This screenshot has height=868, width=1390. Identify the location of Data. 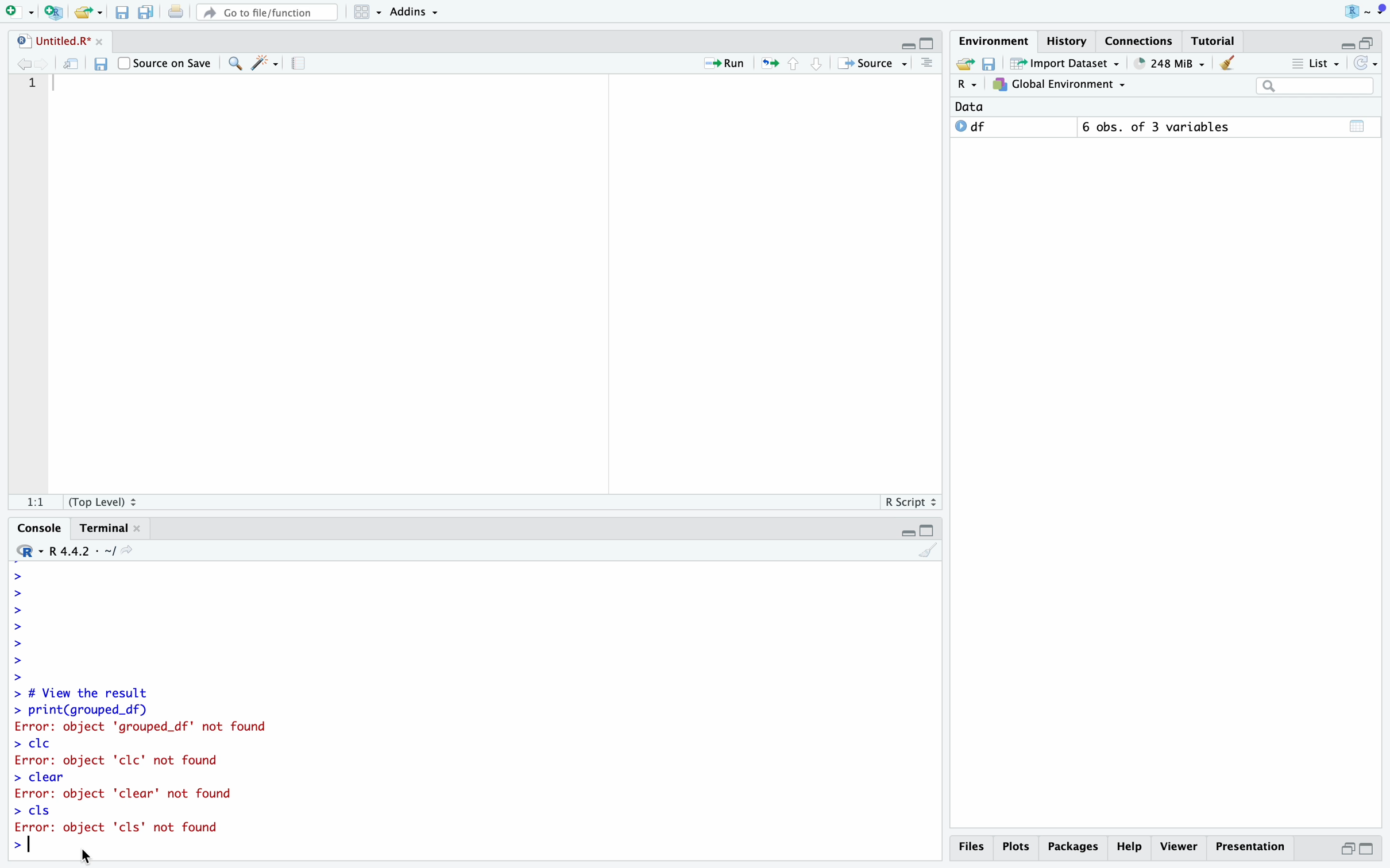
(978, 107).